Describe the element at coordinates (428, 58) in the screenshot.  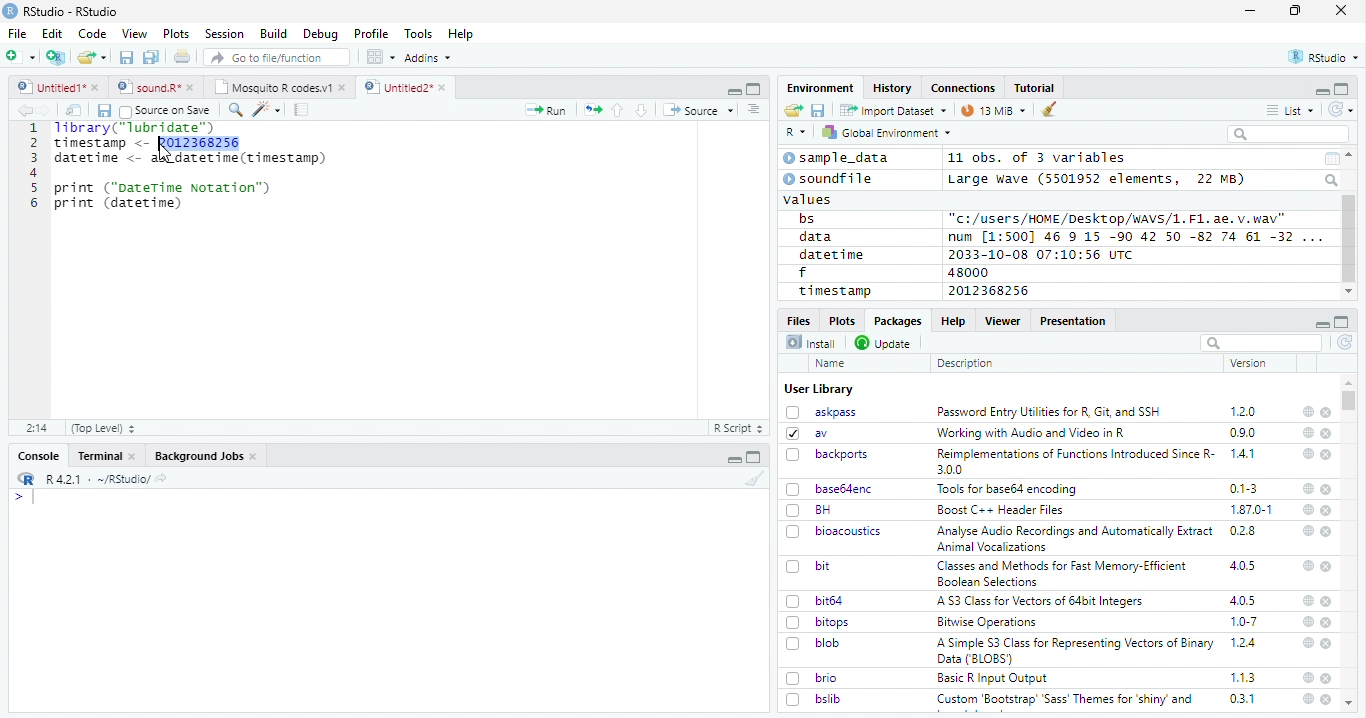
I see `Addins` at that location.